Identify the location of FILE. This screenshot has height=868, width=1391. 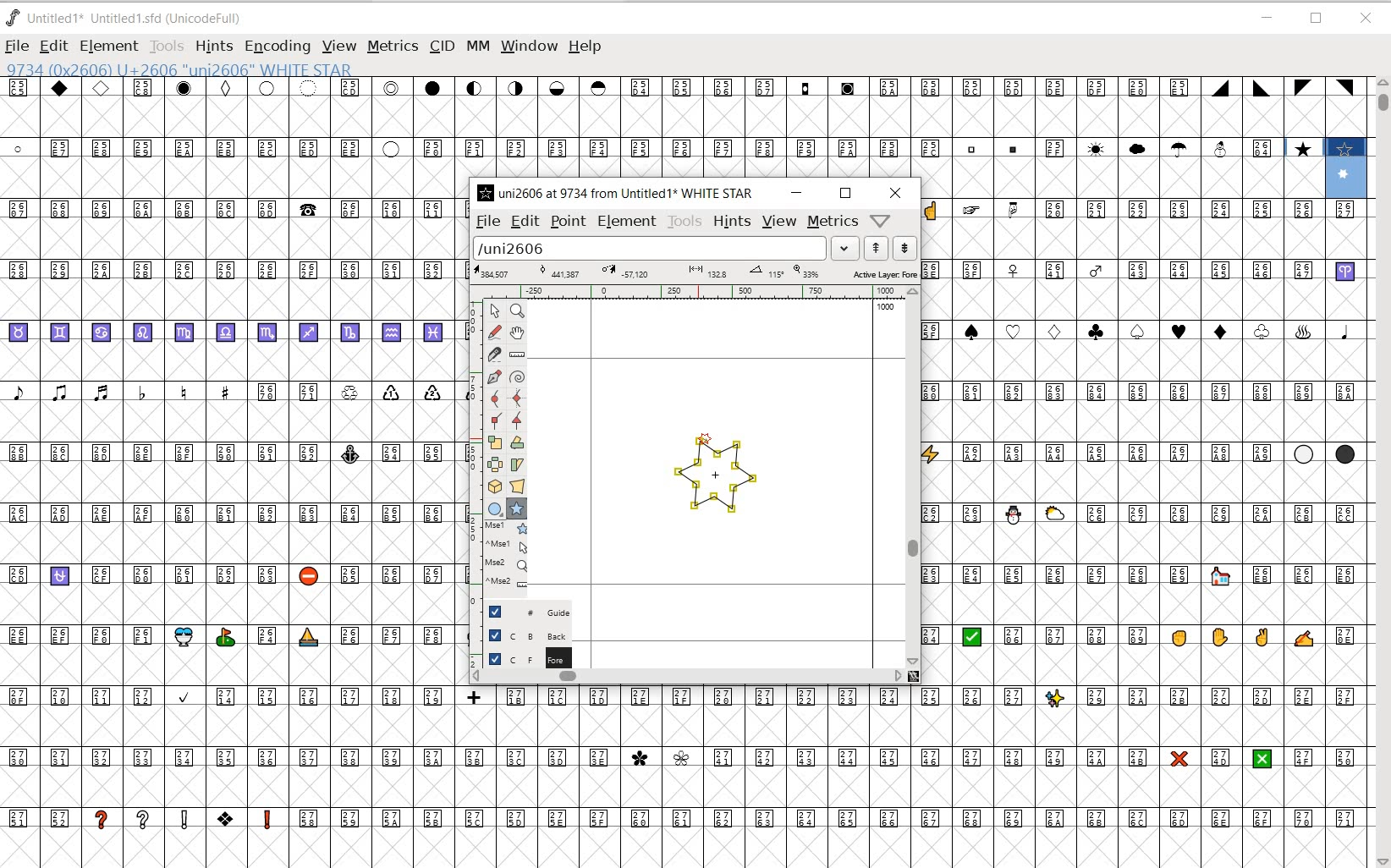
(16, 47).